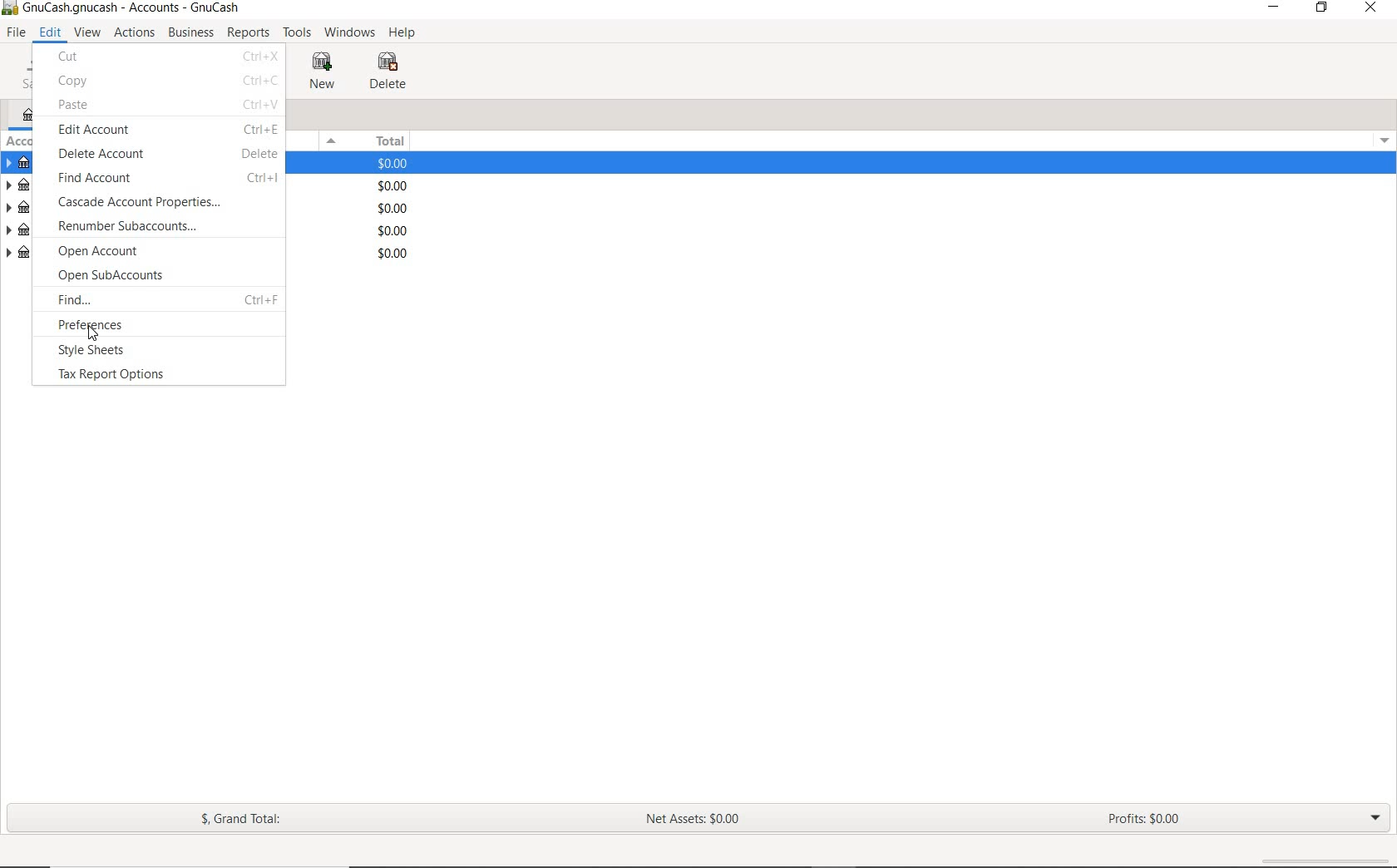  What do you see at coordinates (326, 72) in the screenshot?
I see `NEW` at bounding box center [326, 72].